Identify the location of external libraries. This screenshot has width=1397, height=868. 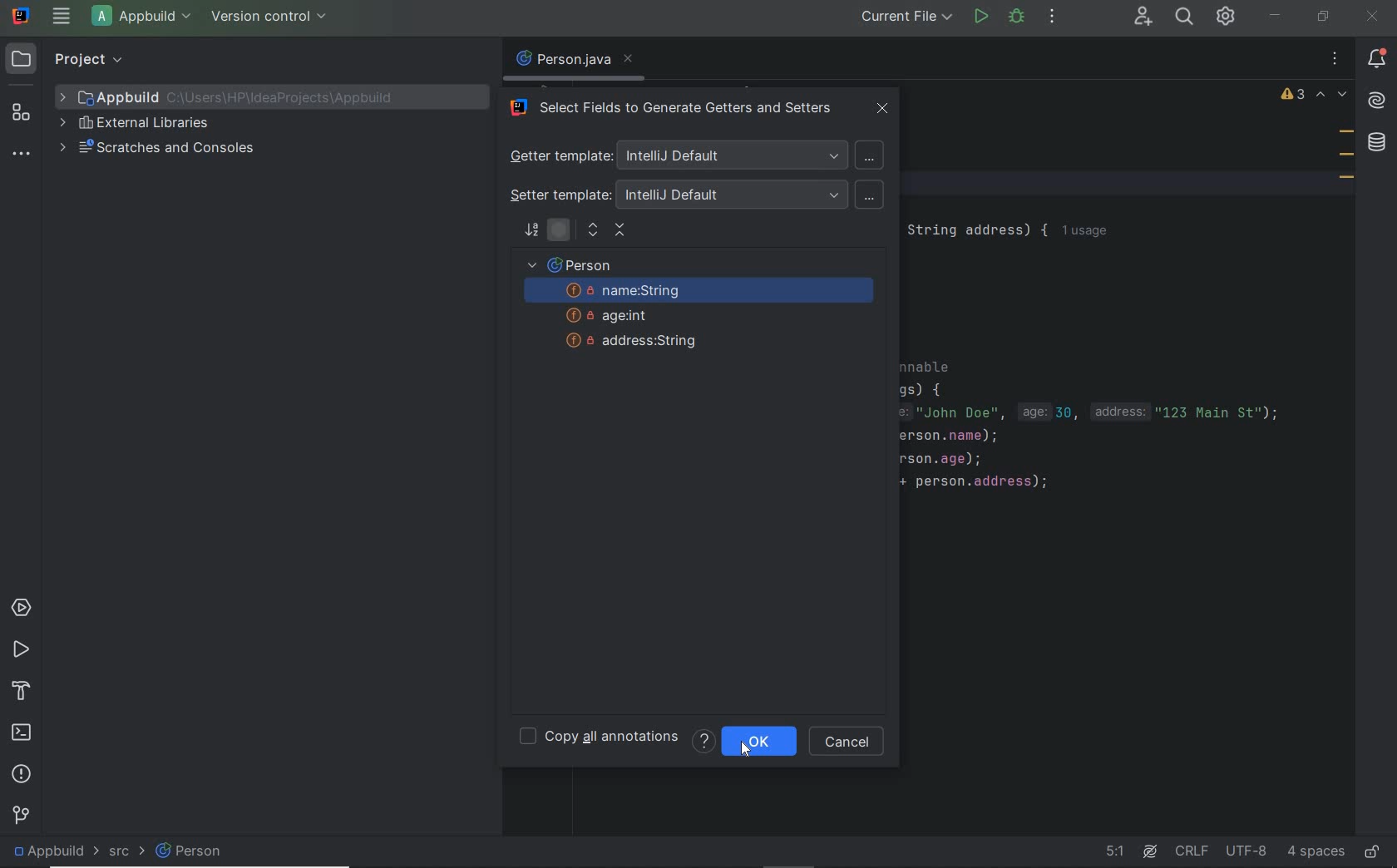
(136, 123).